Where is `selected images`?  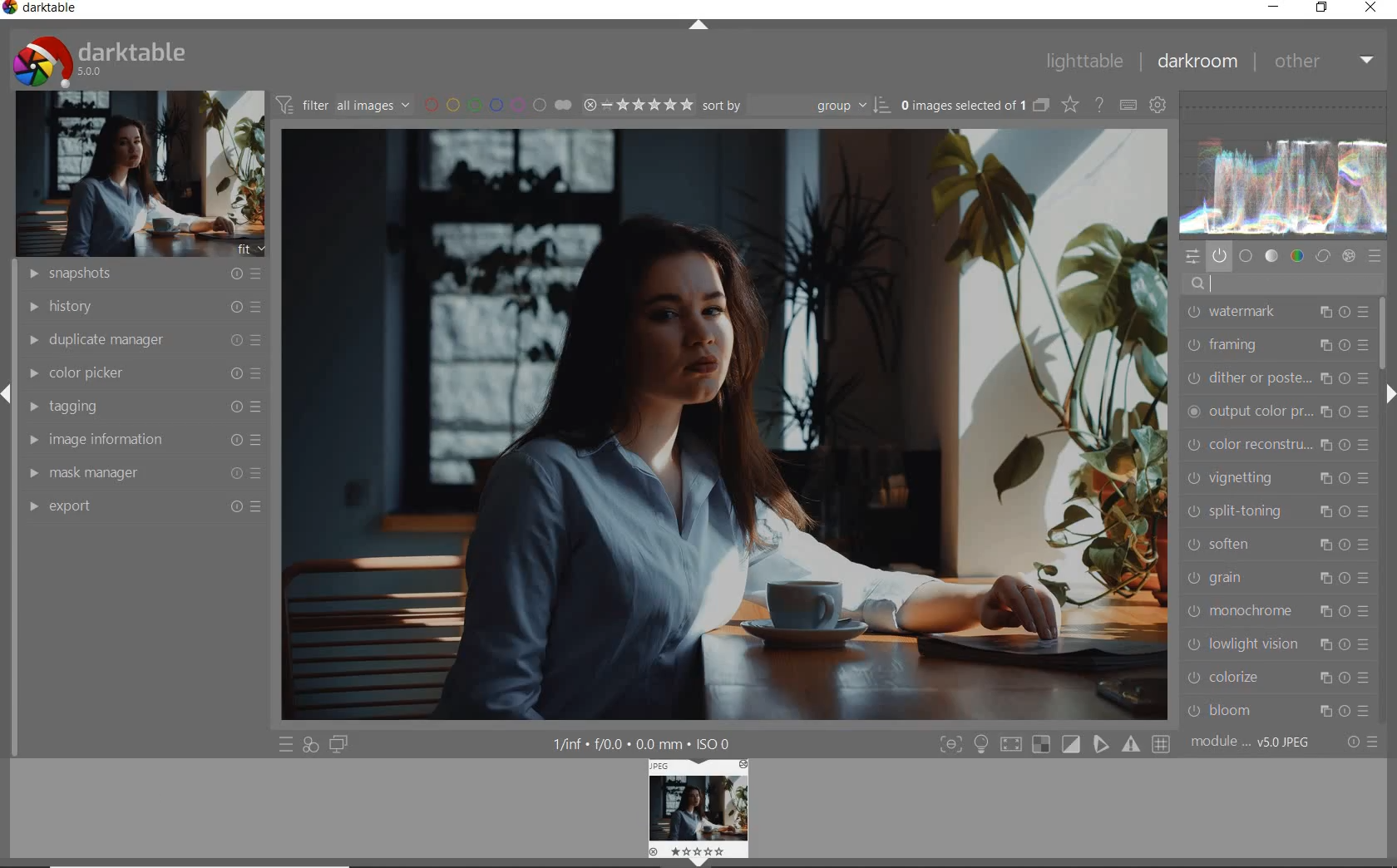 selected images is located at coordinates (961, 105).